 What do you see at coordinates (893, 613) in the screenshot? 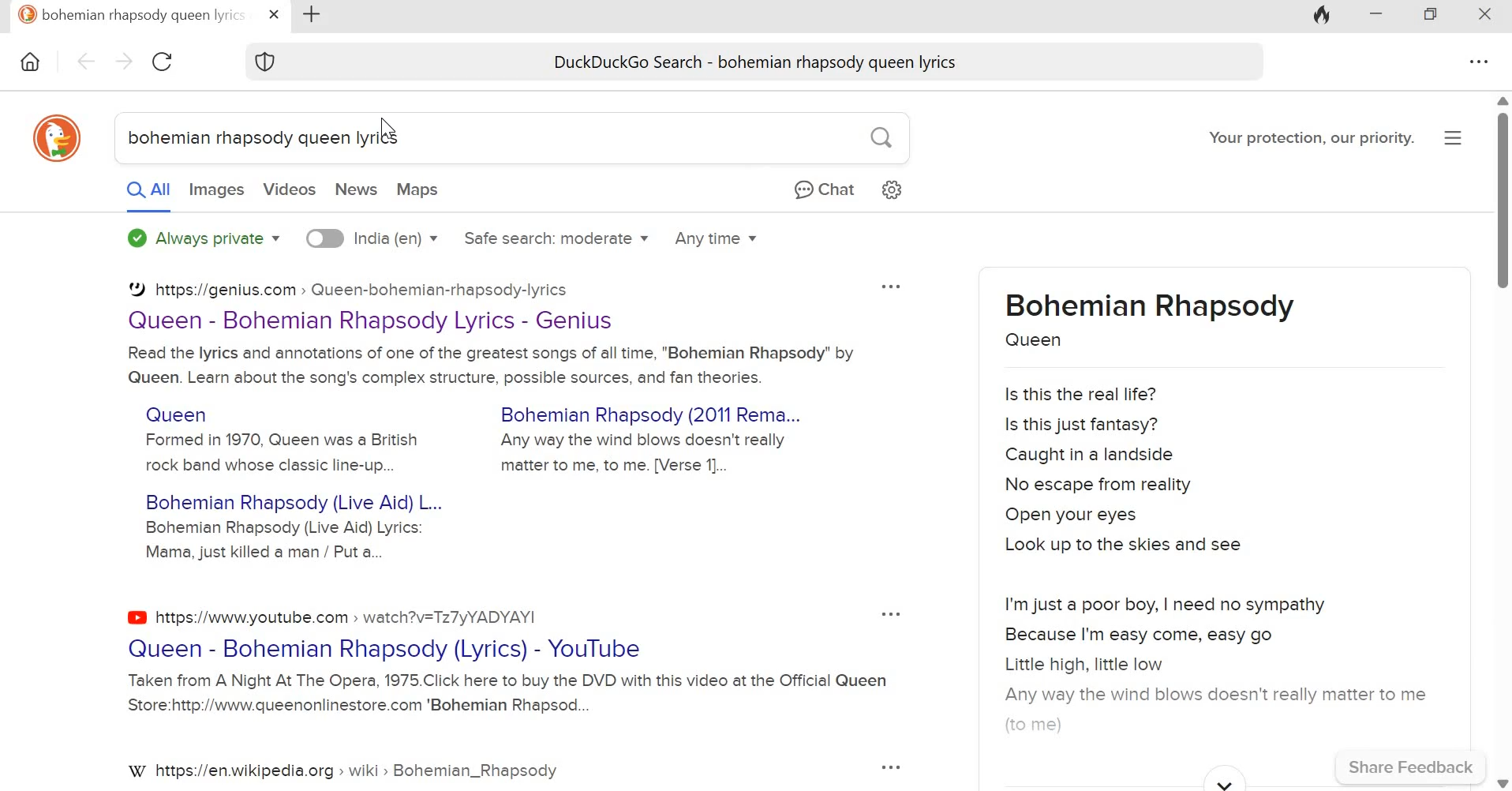
I see `options` at bounding box center [893, 613].